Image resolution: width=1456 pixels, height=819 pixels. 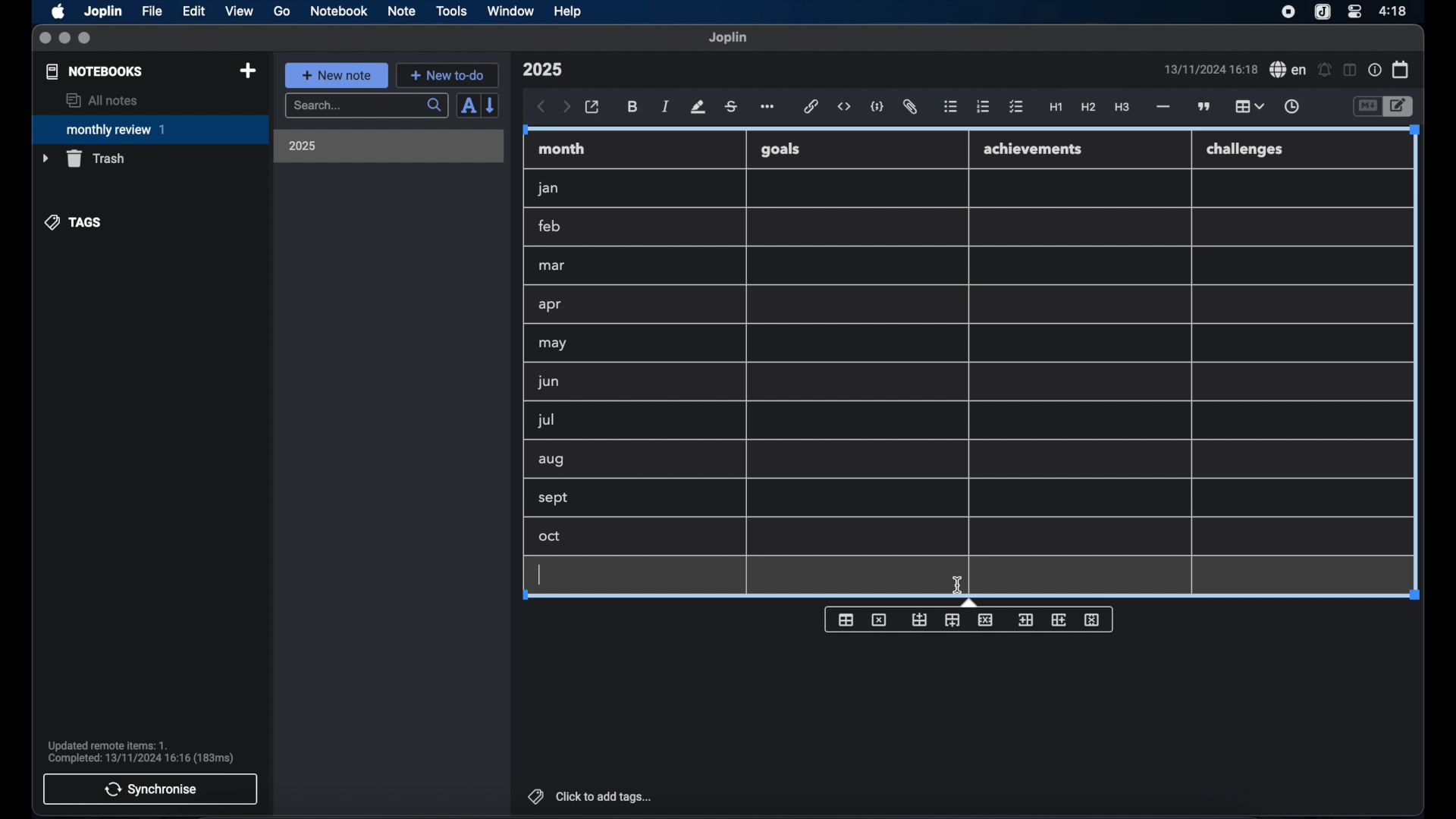 What do you see at coordinates (239, 11) in the screenshot?
I see `view` at bounding box center [239, 11].